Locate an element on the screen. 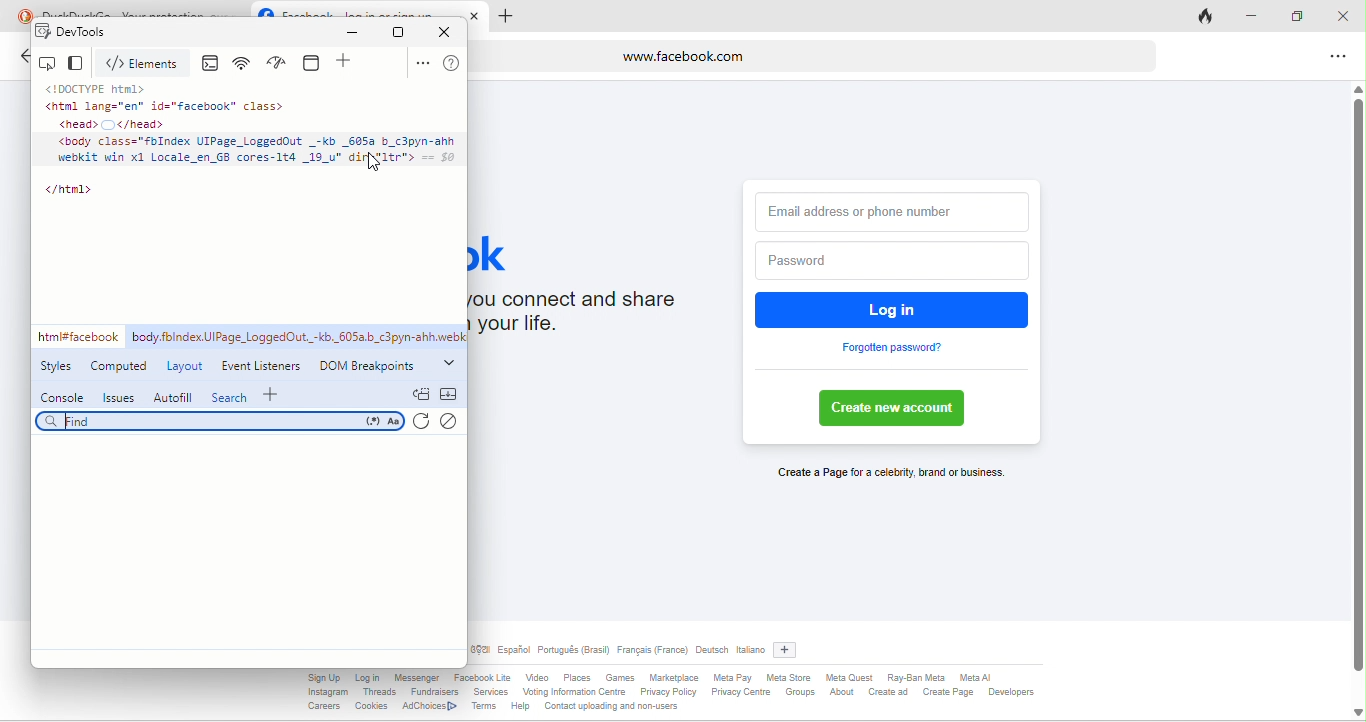 The height and width of the screenshot is (722, 1366). scroll down is located at coordinates (1356, 711).